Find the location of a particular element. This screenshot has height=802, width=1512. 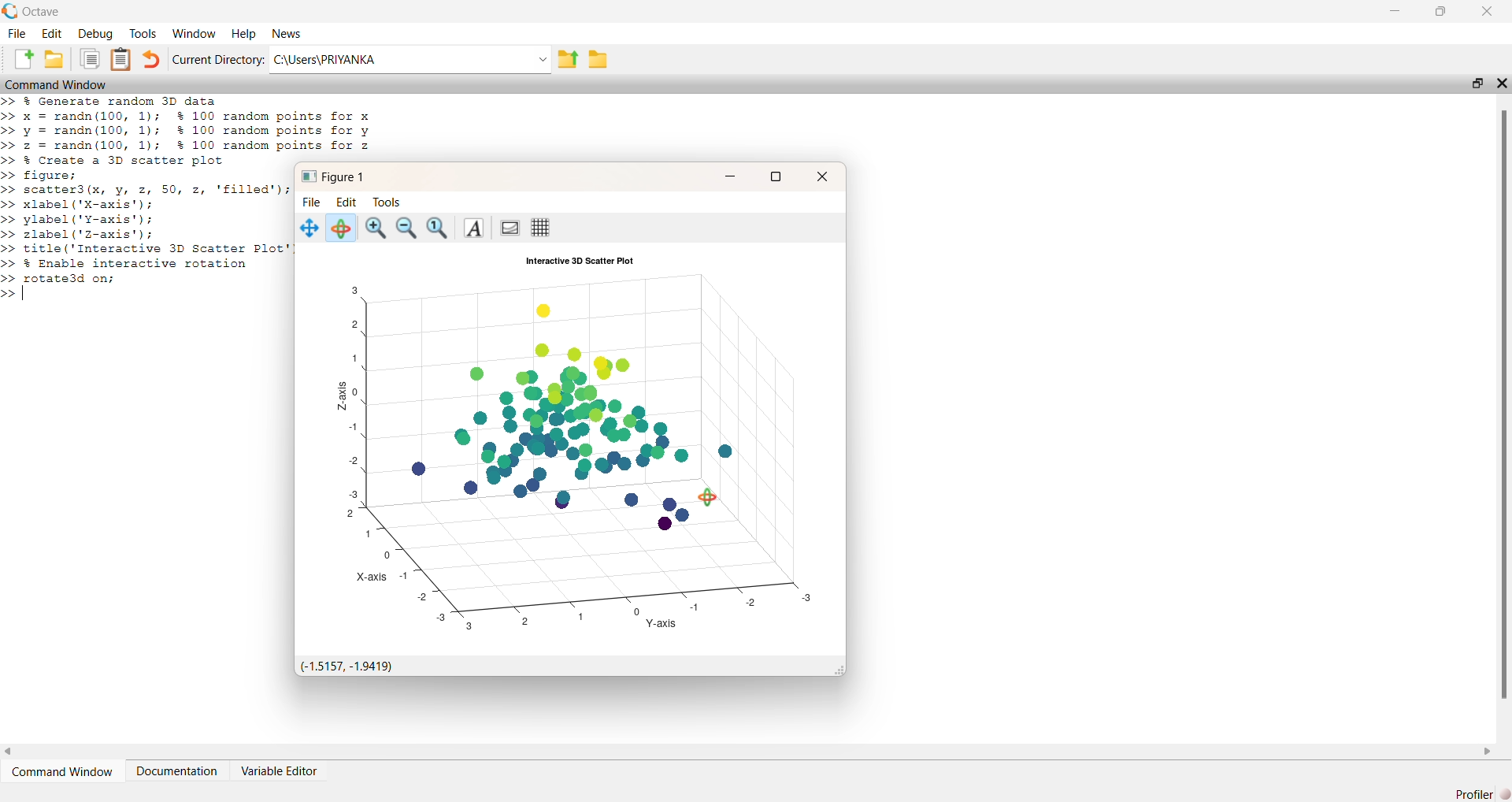

rotate is located at coordinates (339, 228).